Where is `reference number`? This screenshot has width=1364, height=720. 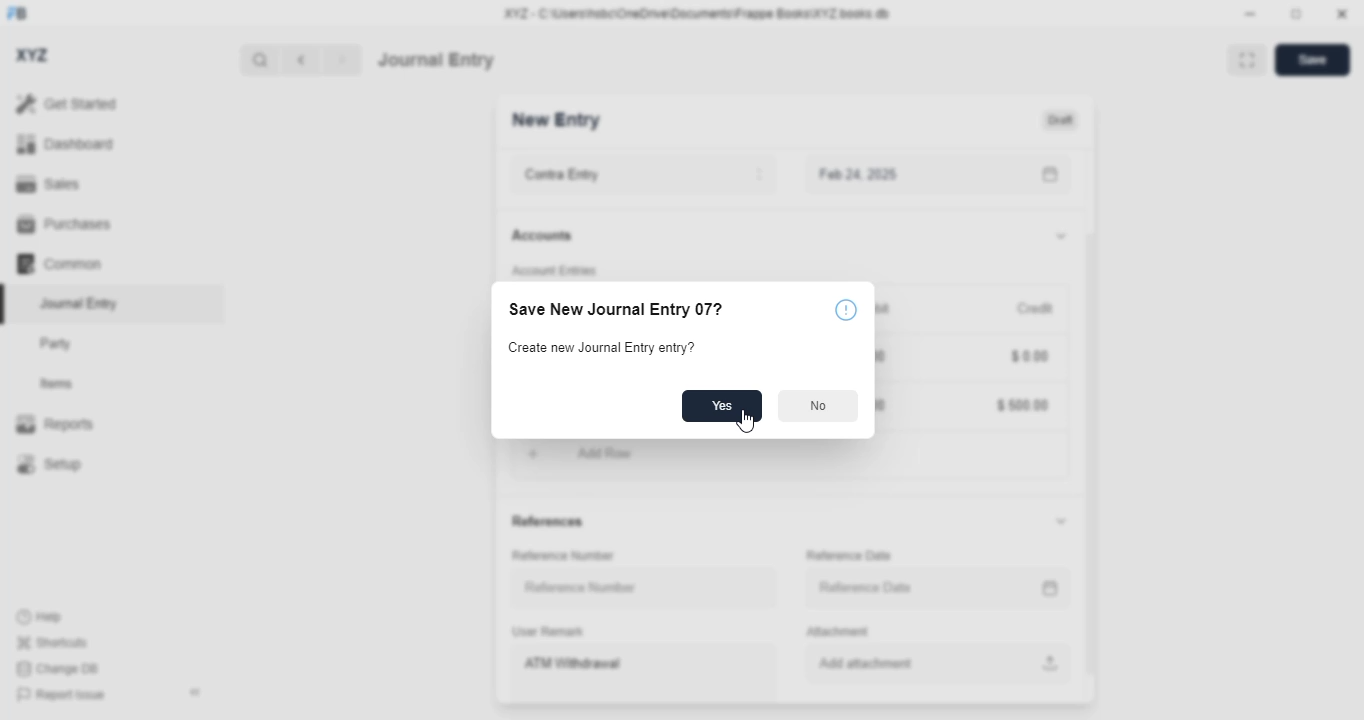
reference number is located at coordinates (564, 556).